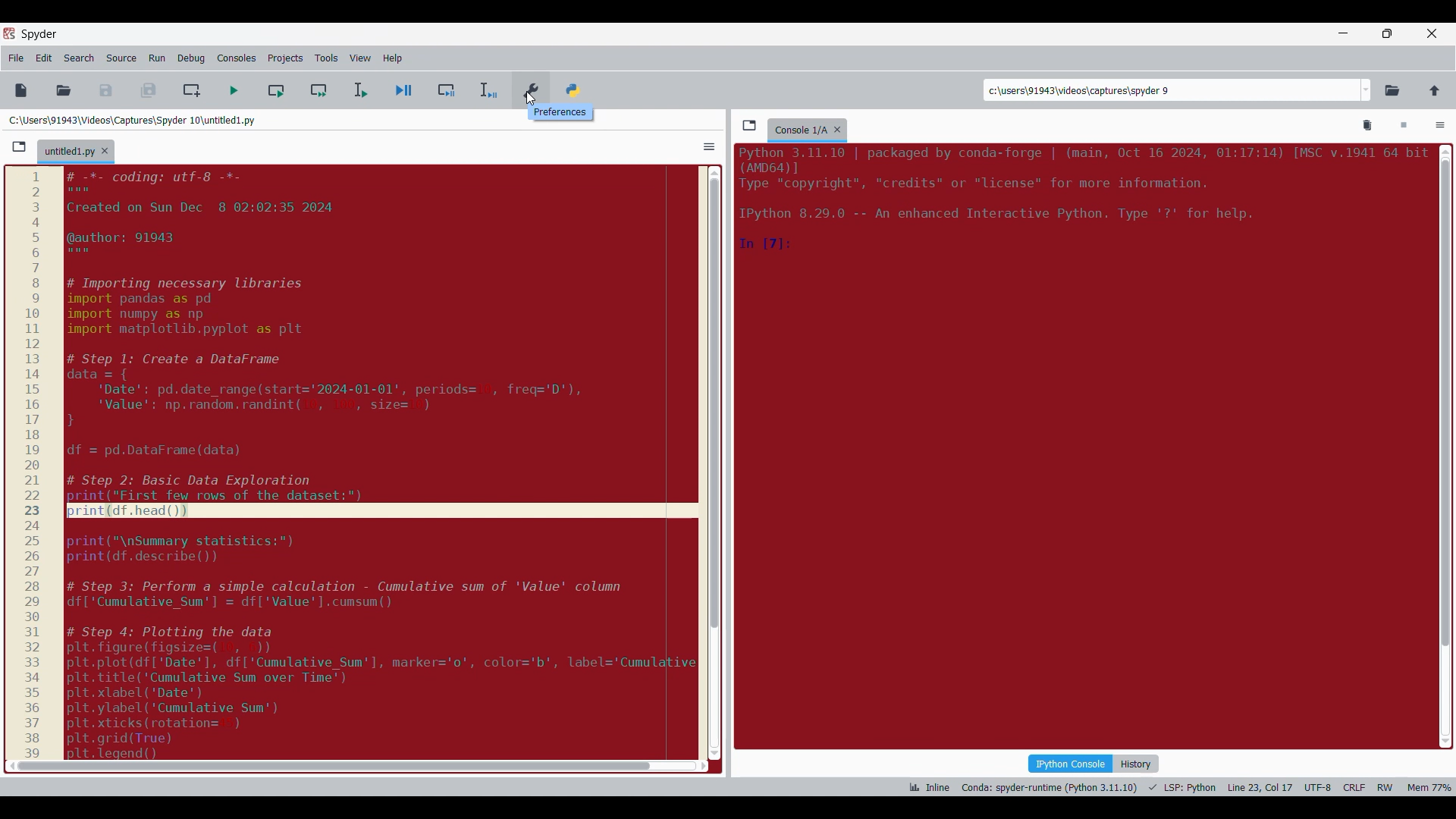  Describe the element at coordinates (1080, 200) in the screenshot. I see `Code details` at that location.